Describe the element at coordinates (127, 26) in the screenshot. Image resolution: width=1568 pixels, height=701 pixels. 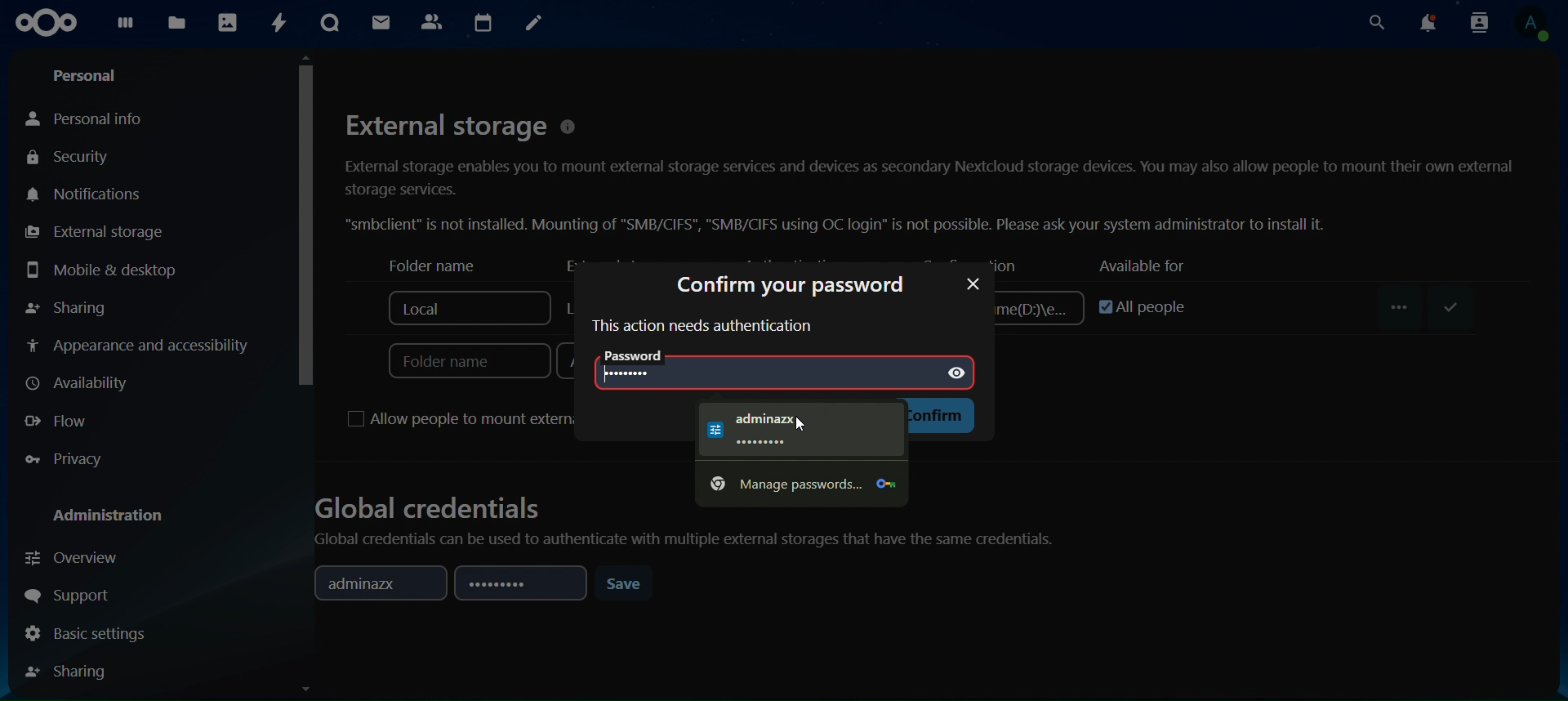
I see `dashboard` at that location.